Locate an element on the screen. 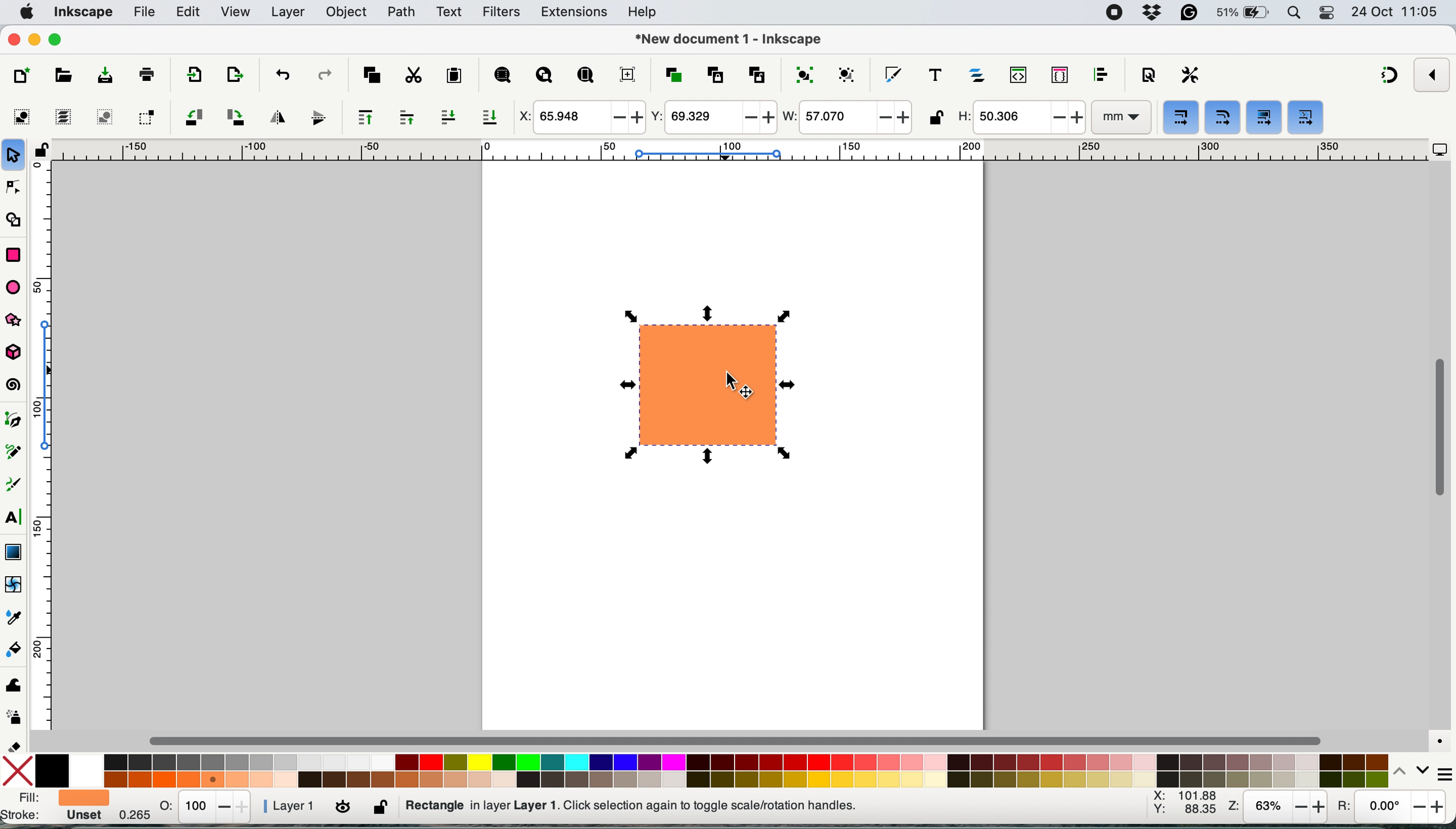  open import is located at coordinates (234, 75).